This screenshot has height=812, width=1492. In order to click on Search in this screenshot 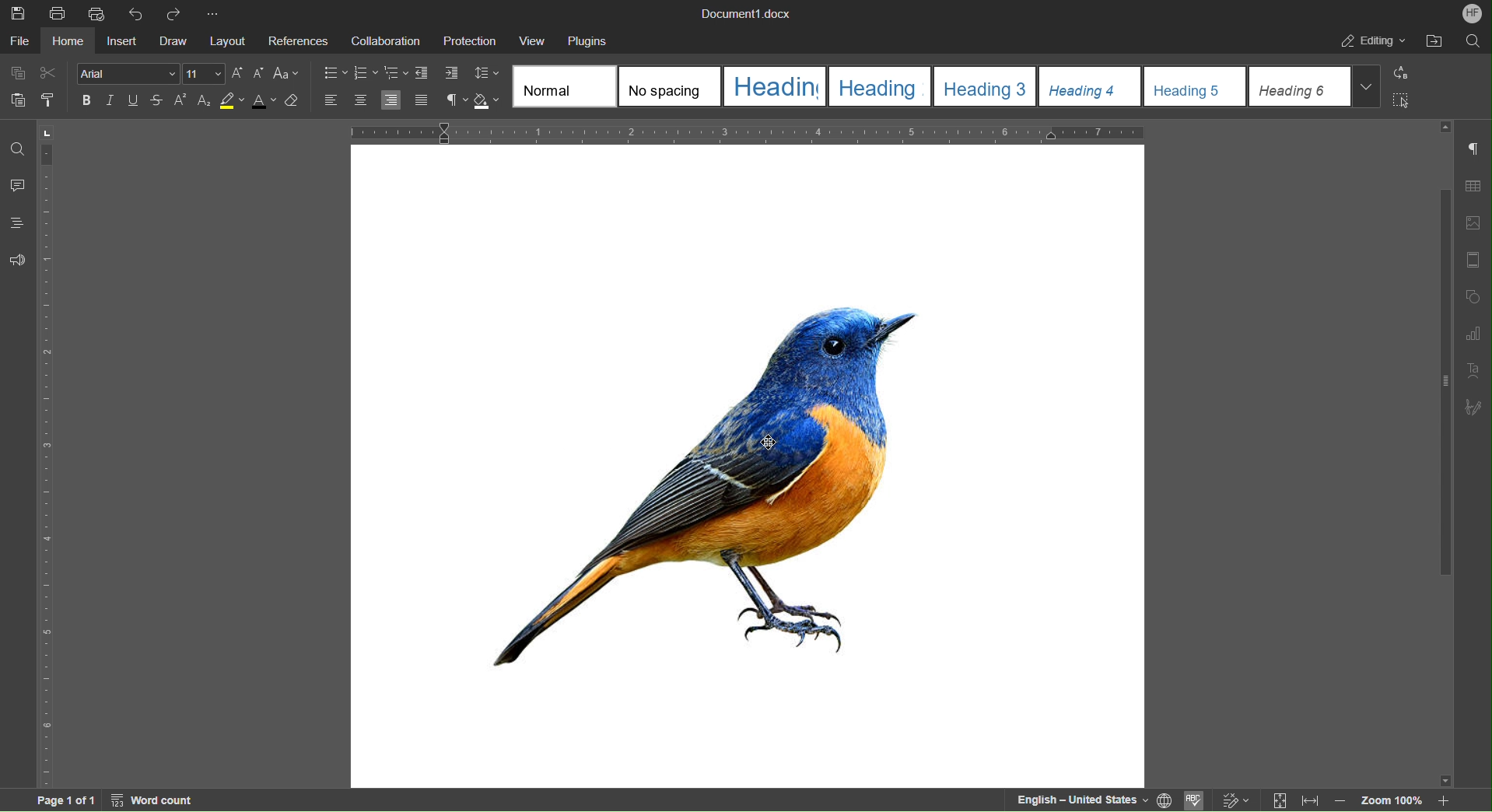, I will do `click(1473, 41)`.